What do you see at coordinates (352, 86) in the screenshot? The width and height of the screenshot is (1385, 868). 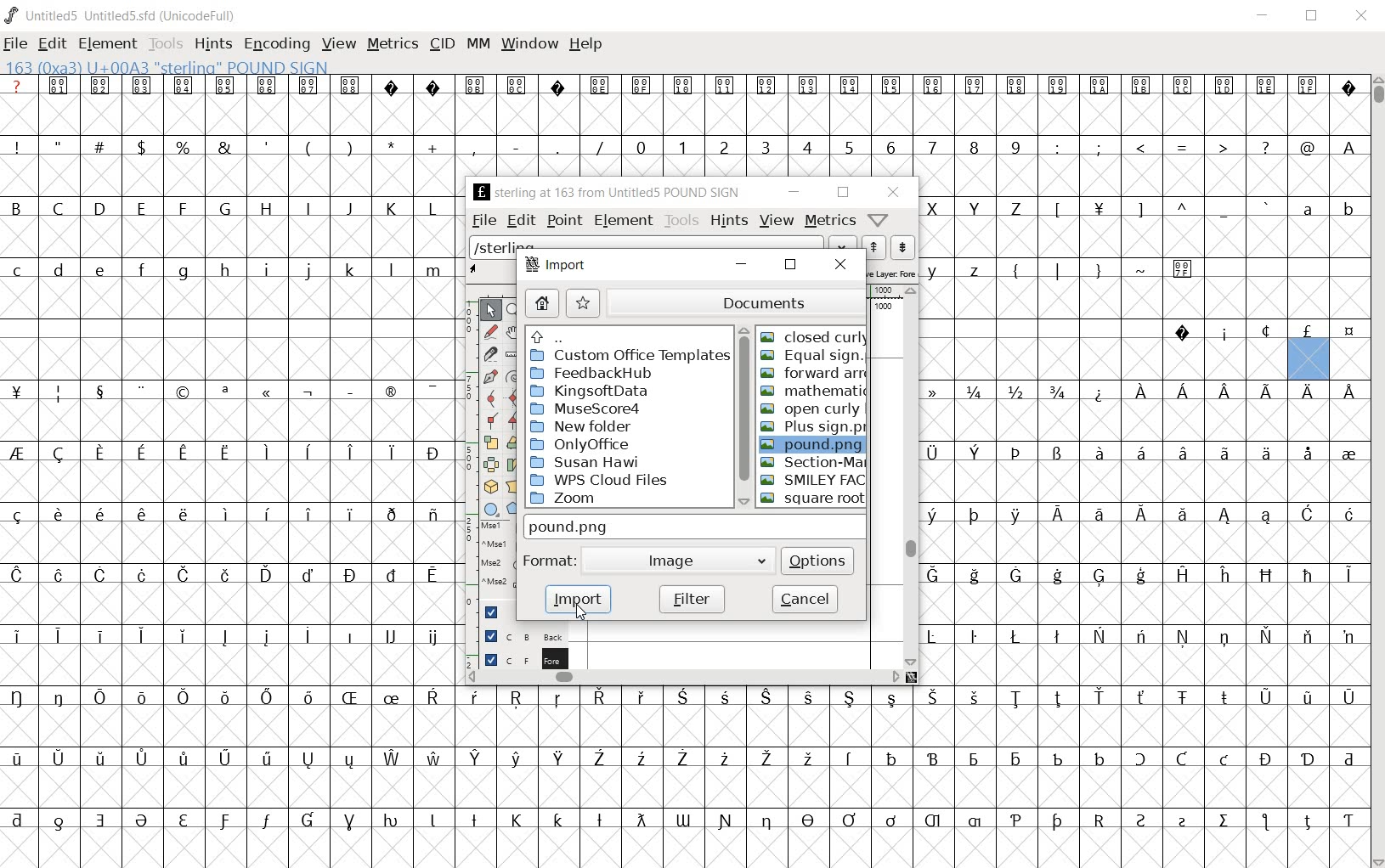 I see `Symbol` at bounding box center [352, 86].